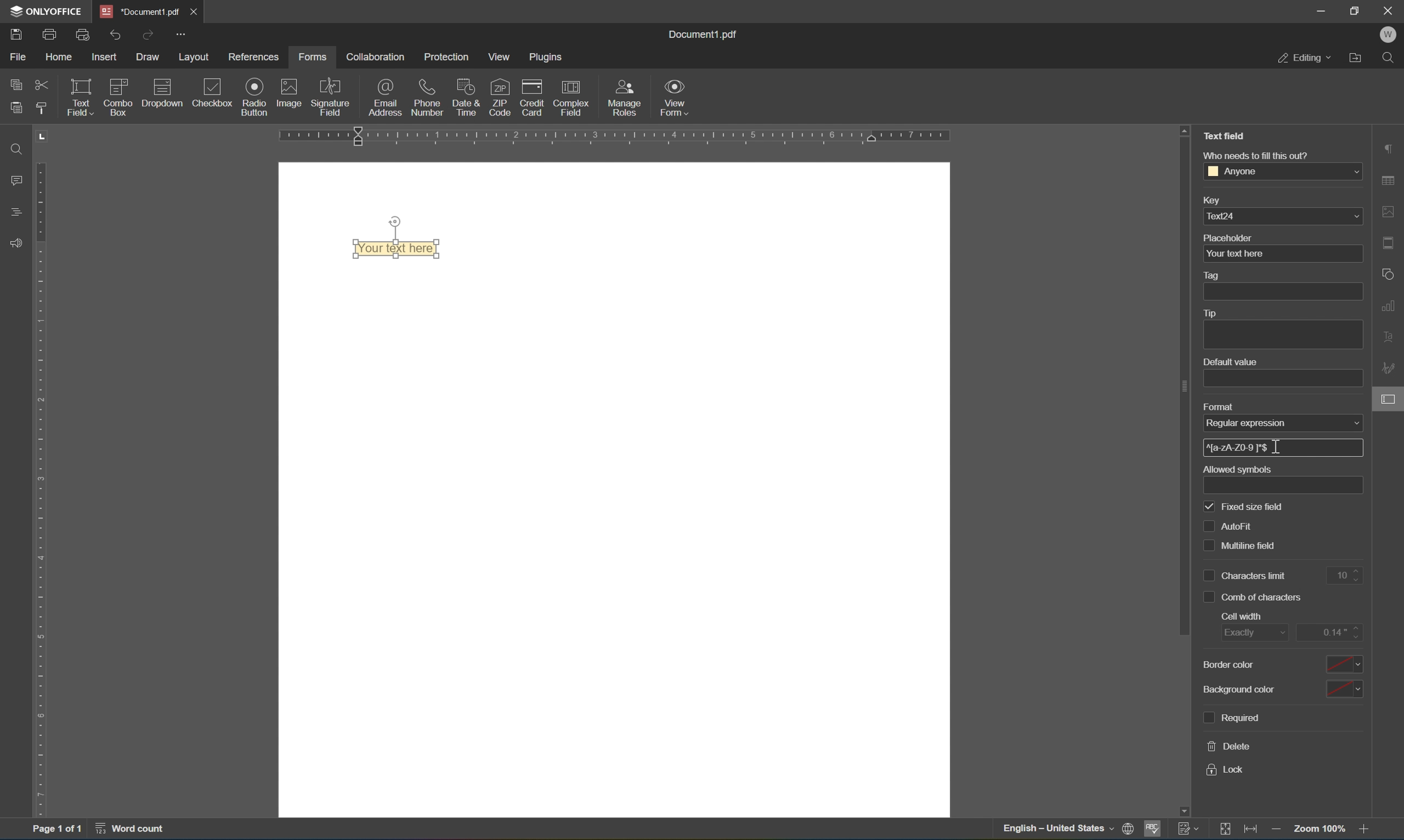 The image size is (1404, 840). I want to click on key, so click(1210, 202).